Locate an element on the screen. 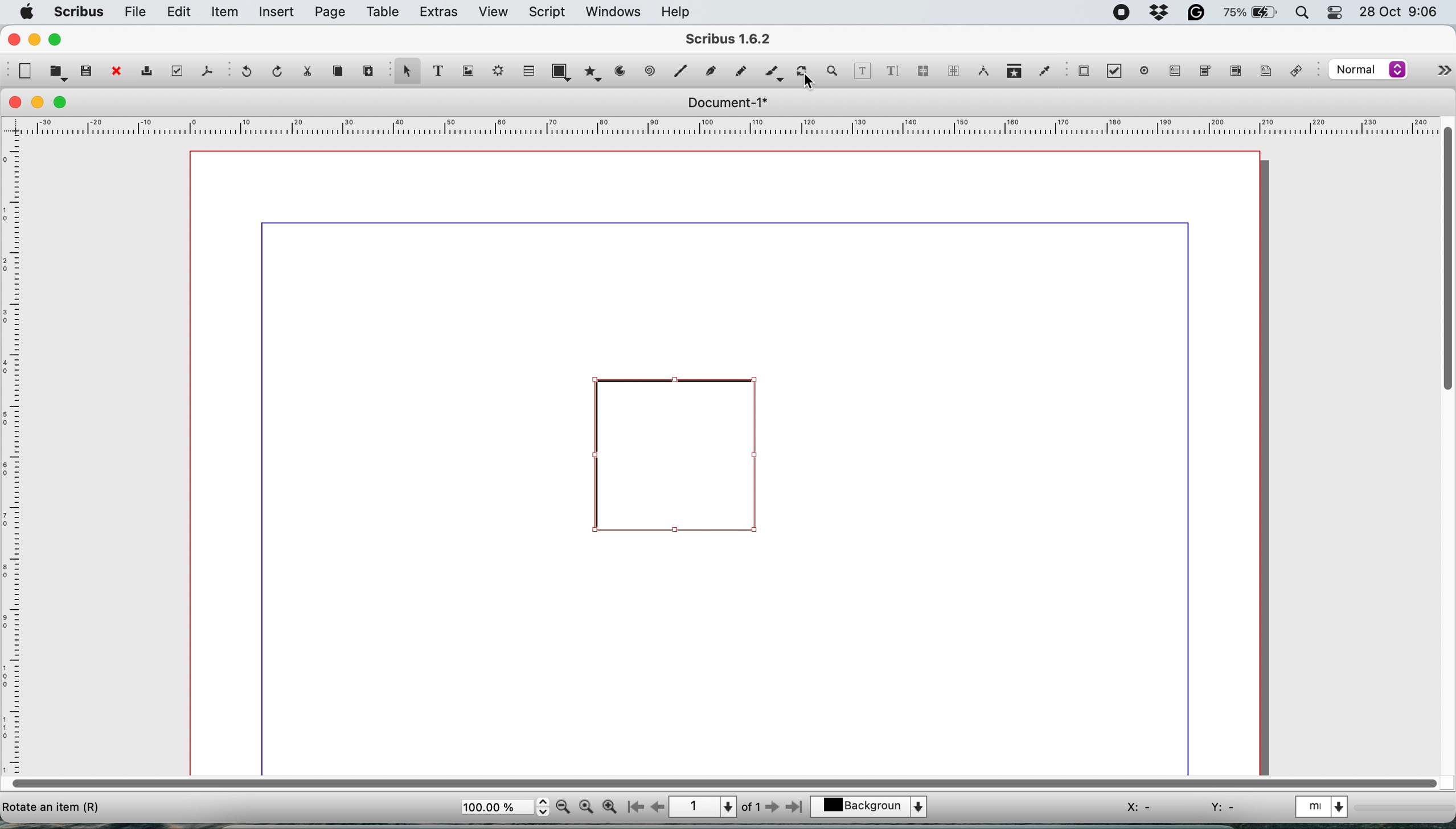 This screenshot has width=1456, height=829. vertical scale is located at coordinates (15, 453).